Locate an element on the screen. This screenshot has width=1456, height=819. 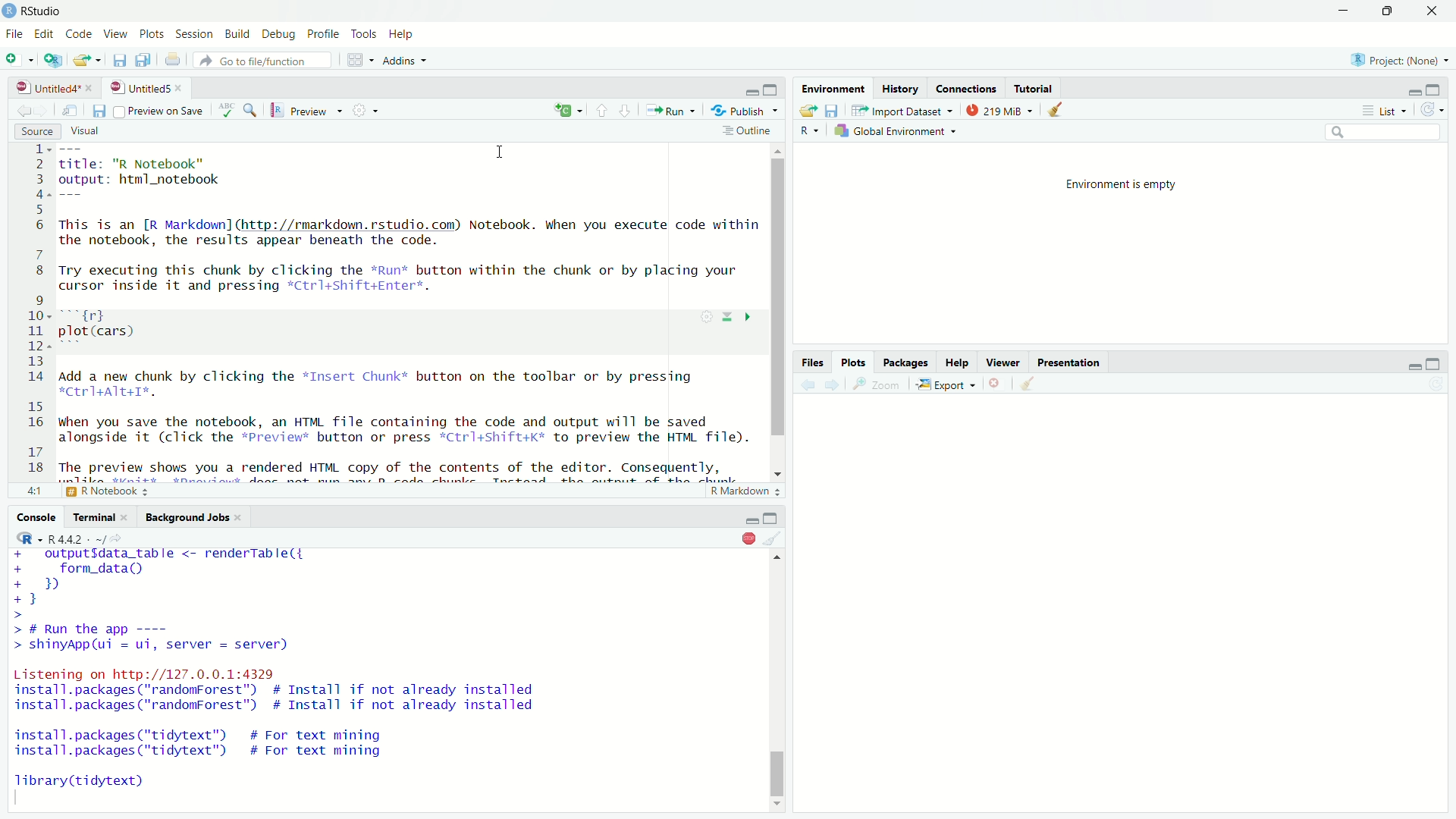
Run the current line is located at coordinates (671, 111).